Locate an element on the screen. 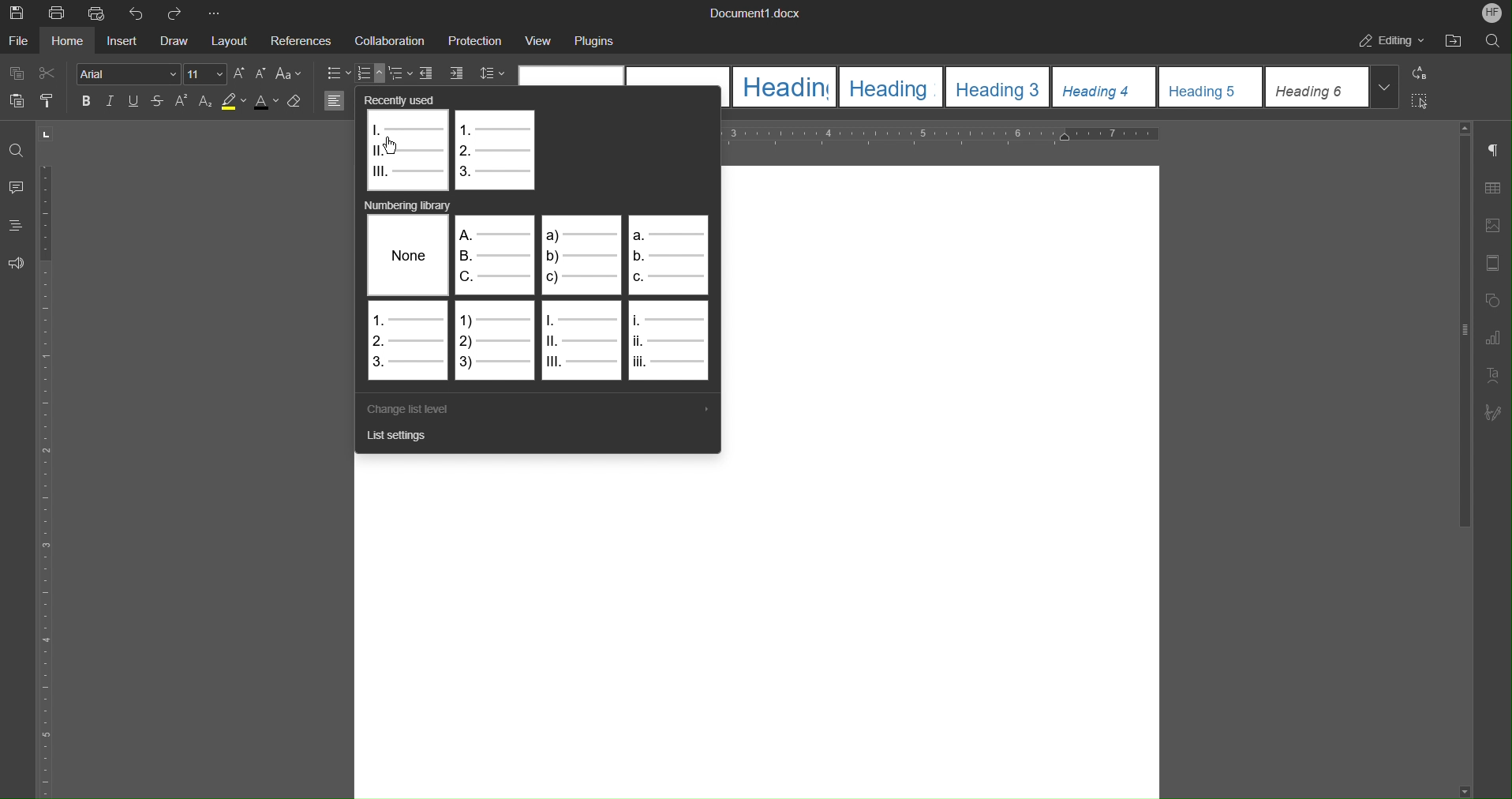  Underline is located at coordinates (133, 102).